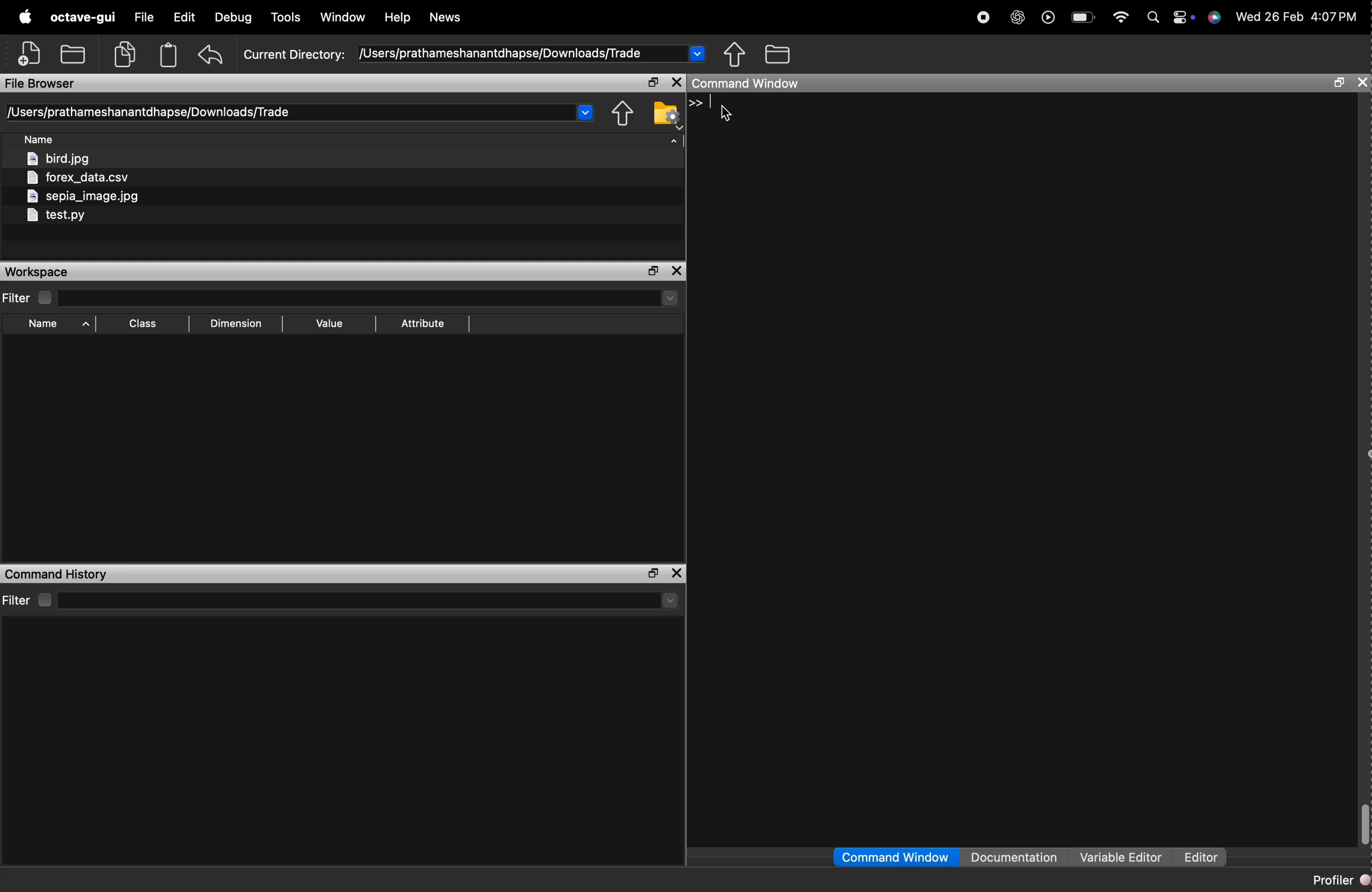  What do you see at coordinates (654, 271) in the screenshot?
I see `open in separate window` at bounding box center [654, 271].